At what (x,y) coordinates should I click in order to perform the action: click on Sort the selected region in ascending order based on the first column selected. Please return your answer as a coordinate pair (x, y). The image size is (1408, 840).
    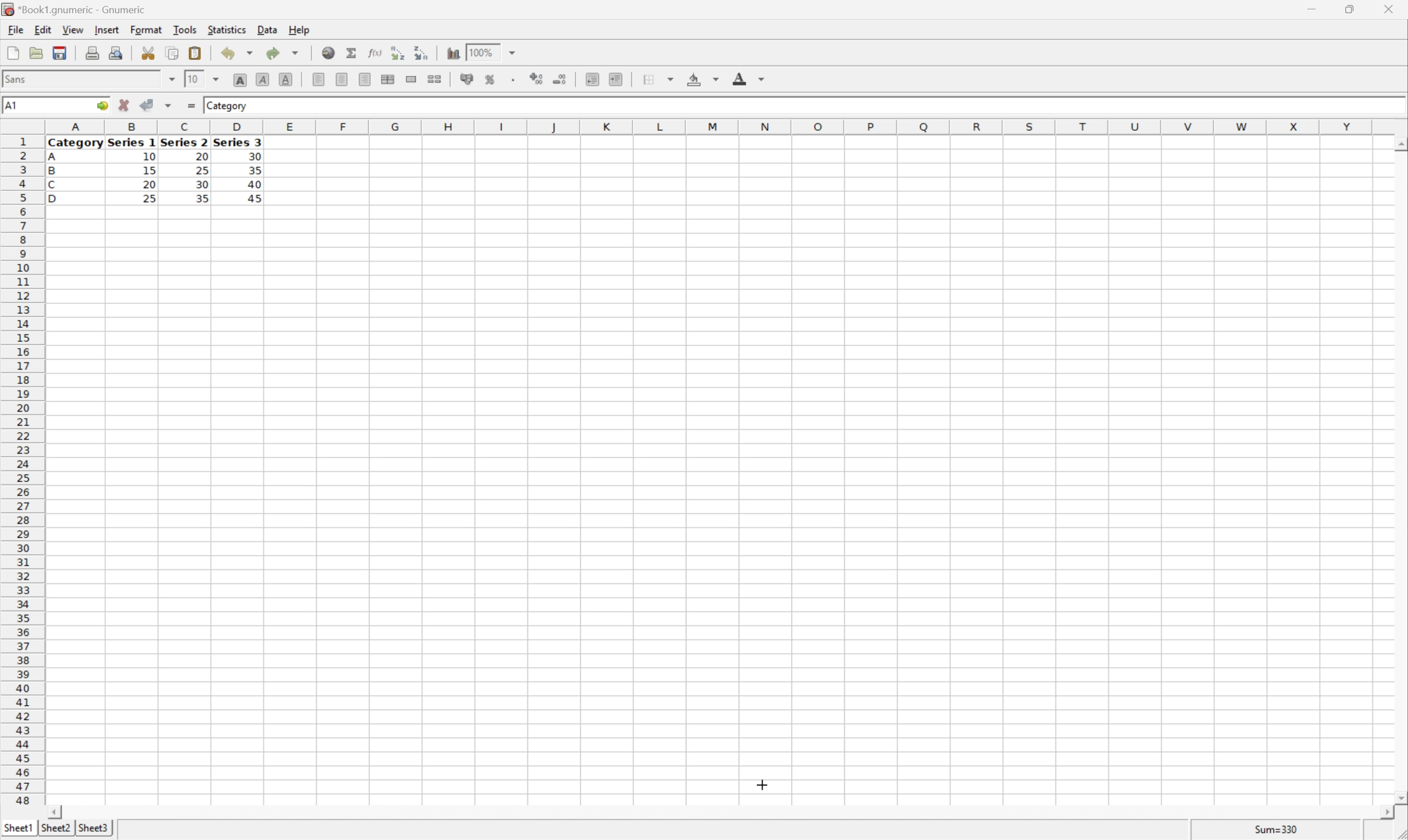
    Looking at the image, I should click on (397, 53).